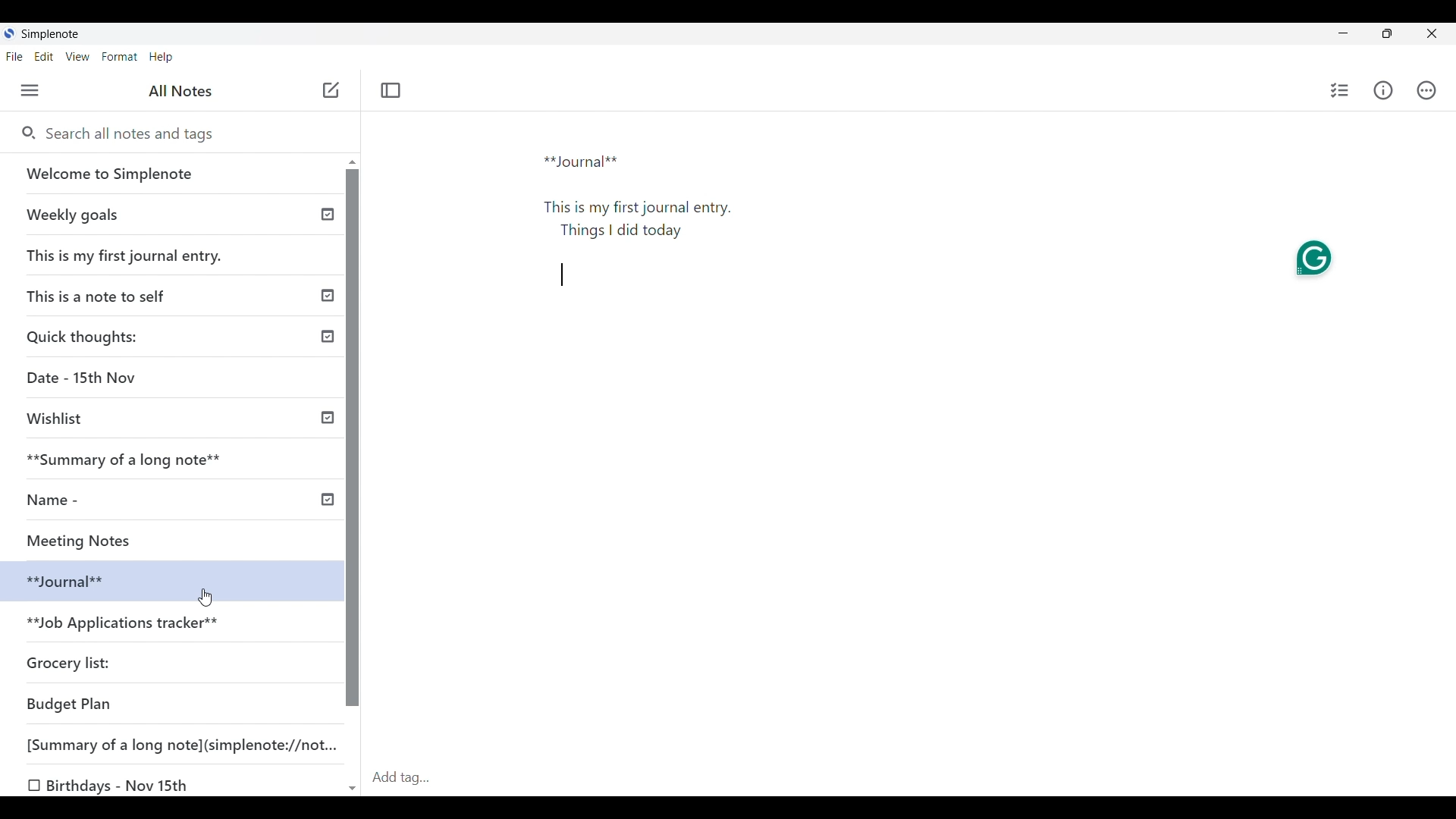  Describe the element at coordinates (15, 57) in the screenshot. I see `File menu` at that location.